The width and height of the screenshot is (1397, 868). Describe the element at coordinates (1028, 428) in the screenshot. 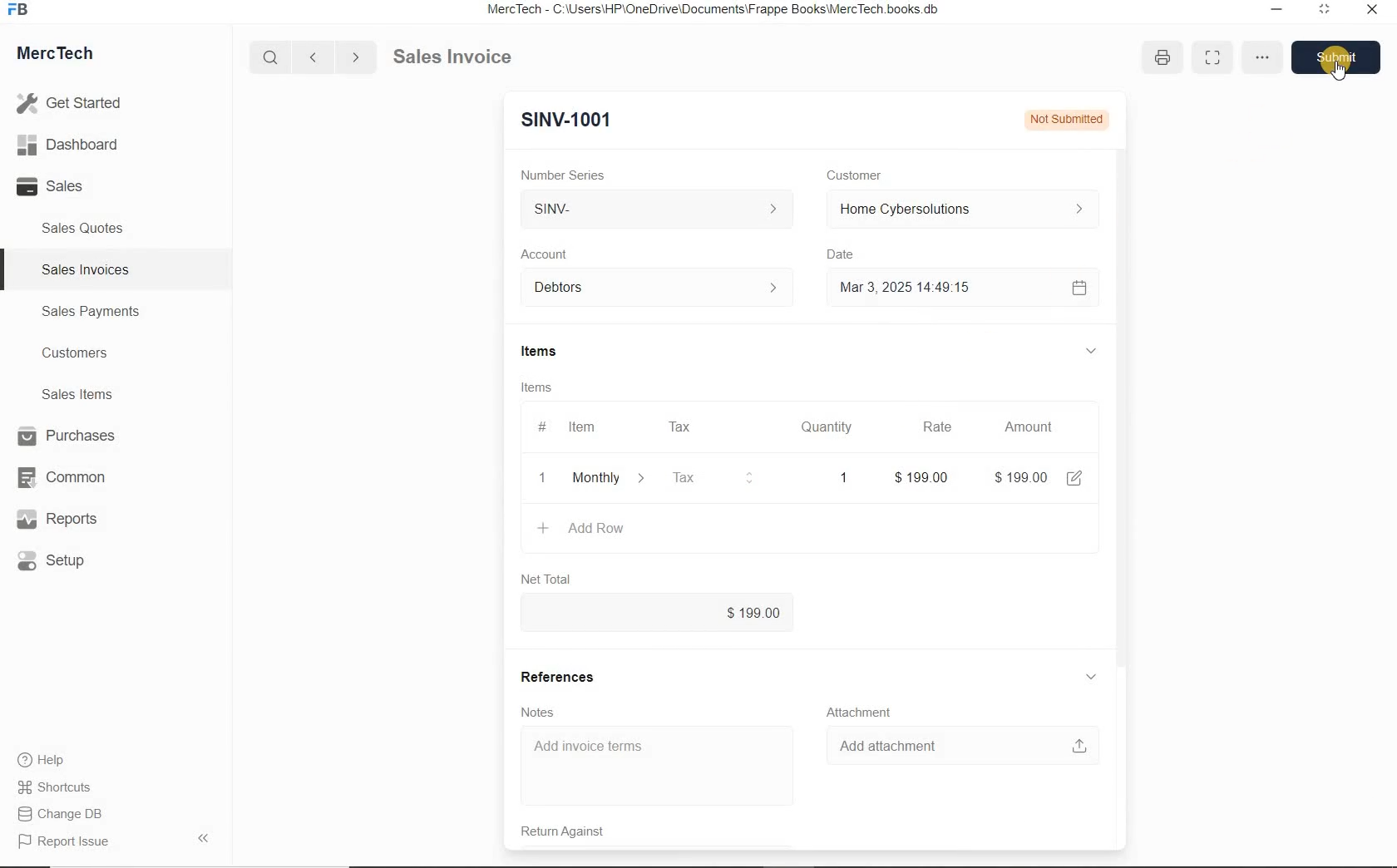

I see `Amount` at that location.